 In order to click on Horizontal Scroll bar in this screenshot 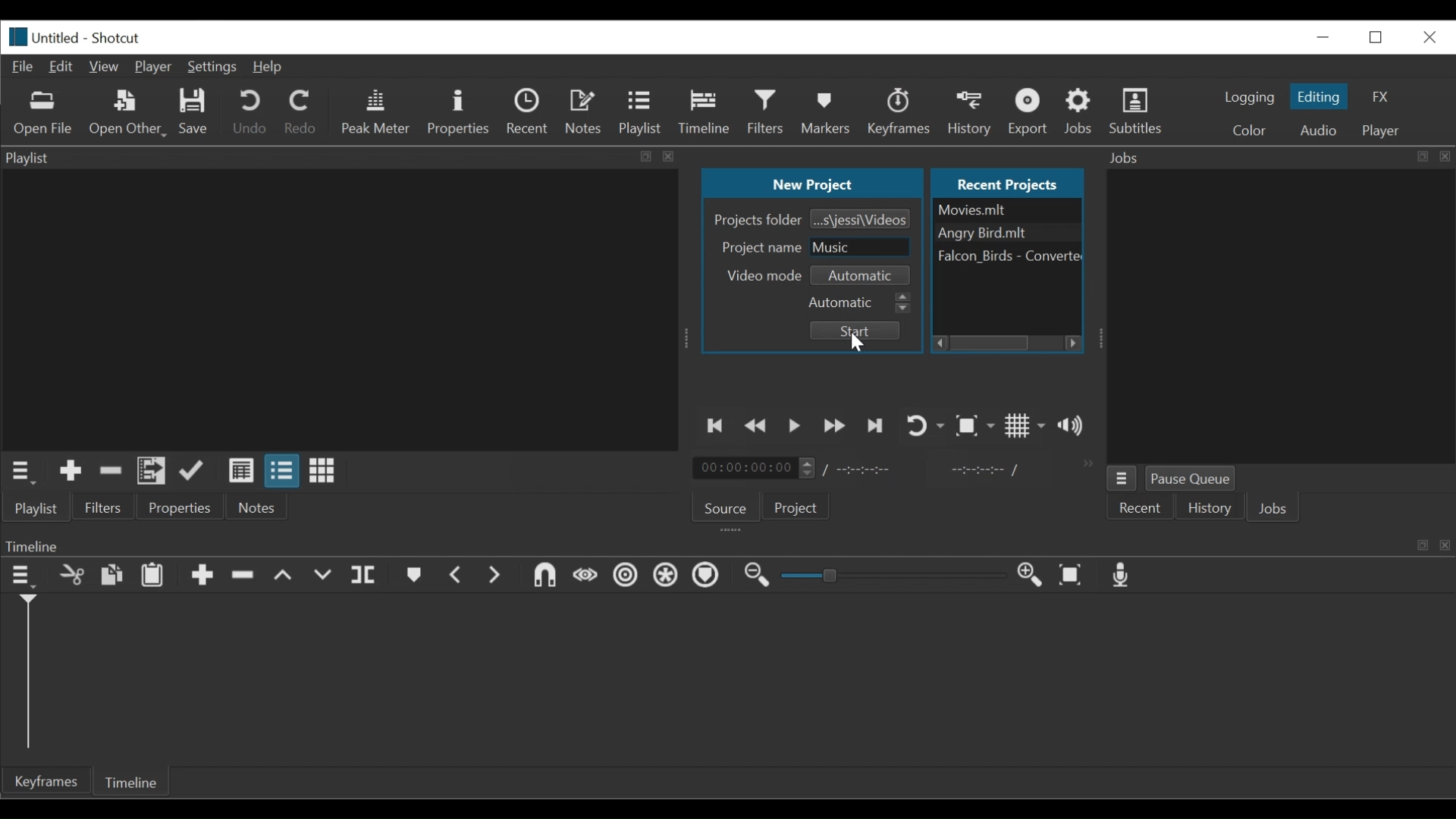, I will do `click(990, 344)`.